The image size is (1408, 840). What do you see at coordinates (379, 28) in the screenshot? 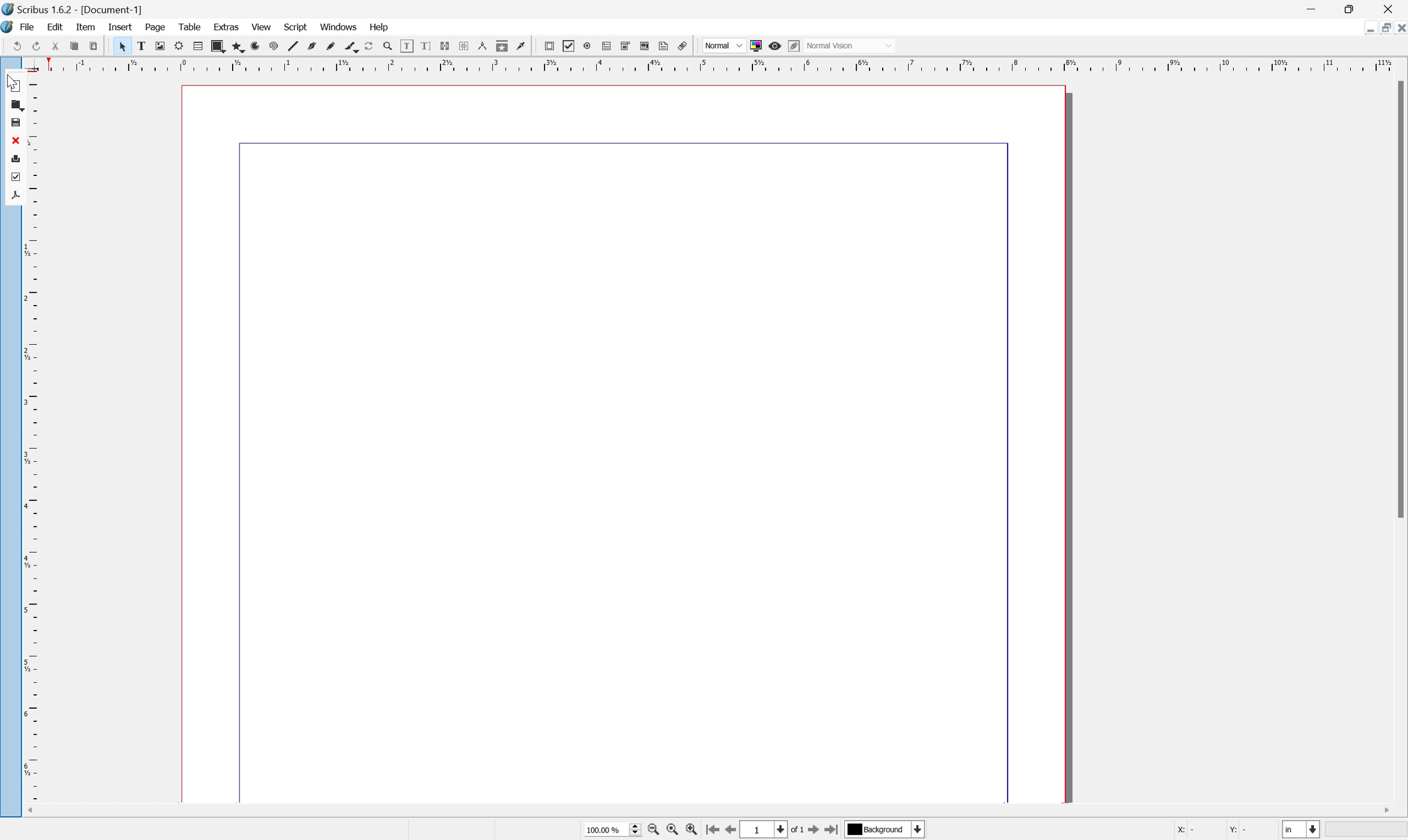
I see `Help` at bounding box center [379, 28].